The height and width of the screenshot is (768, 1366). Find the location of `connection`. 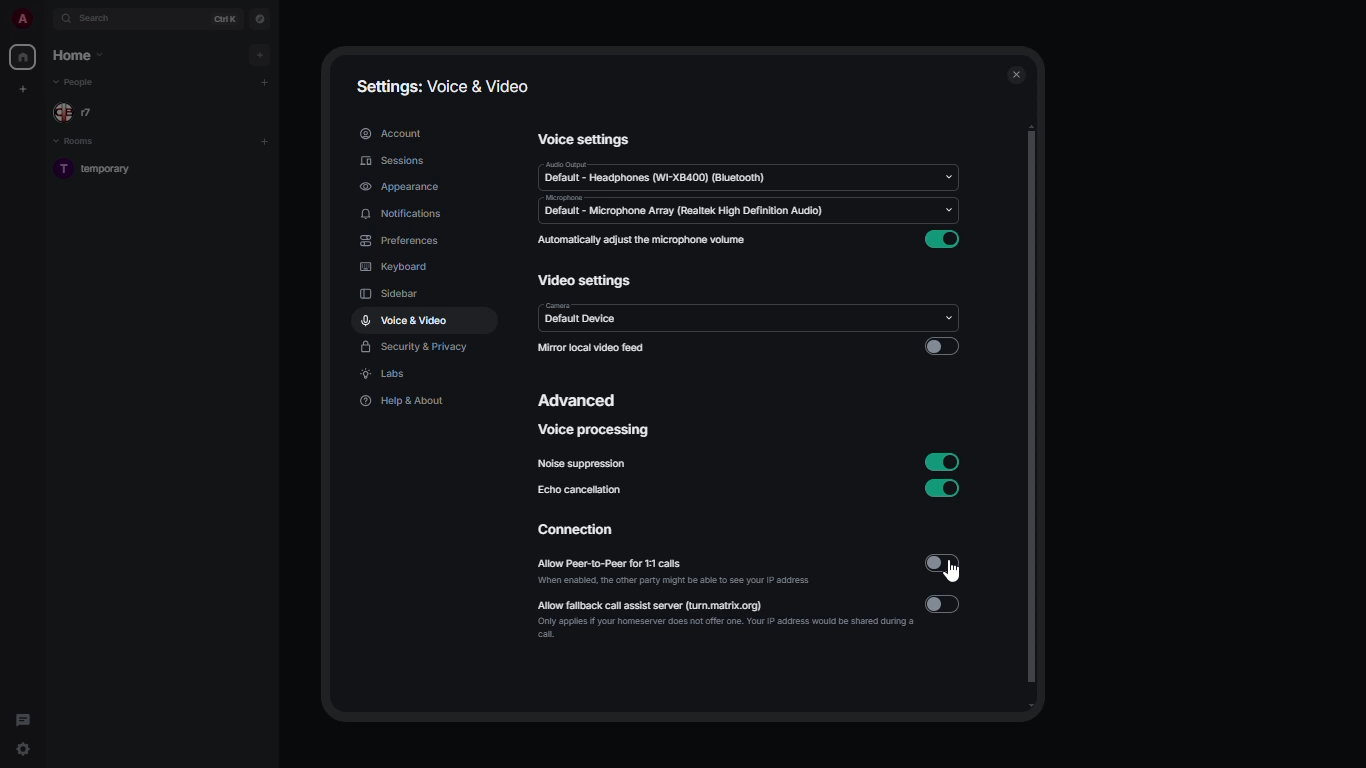

connection is located at coordinates (584, 531).